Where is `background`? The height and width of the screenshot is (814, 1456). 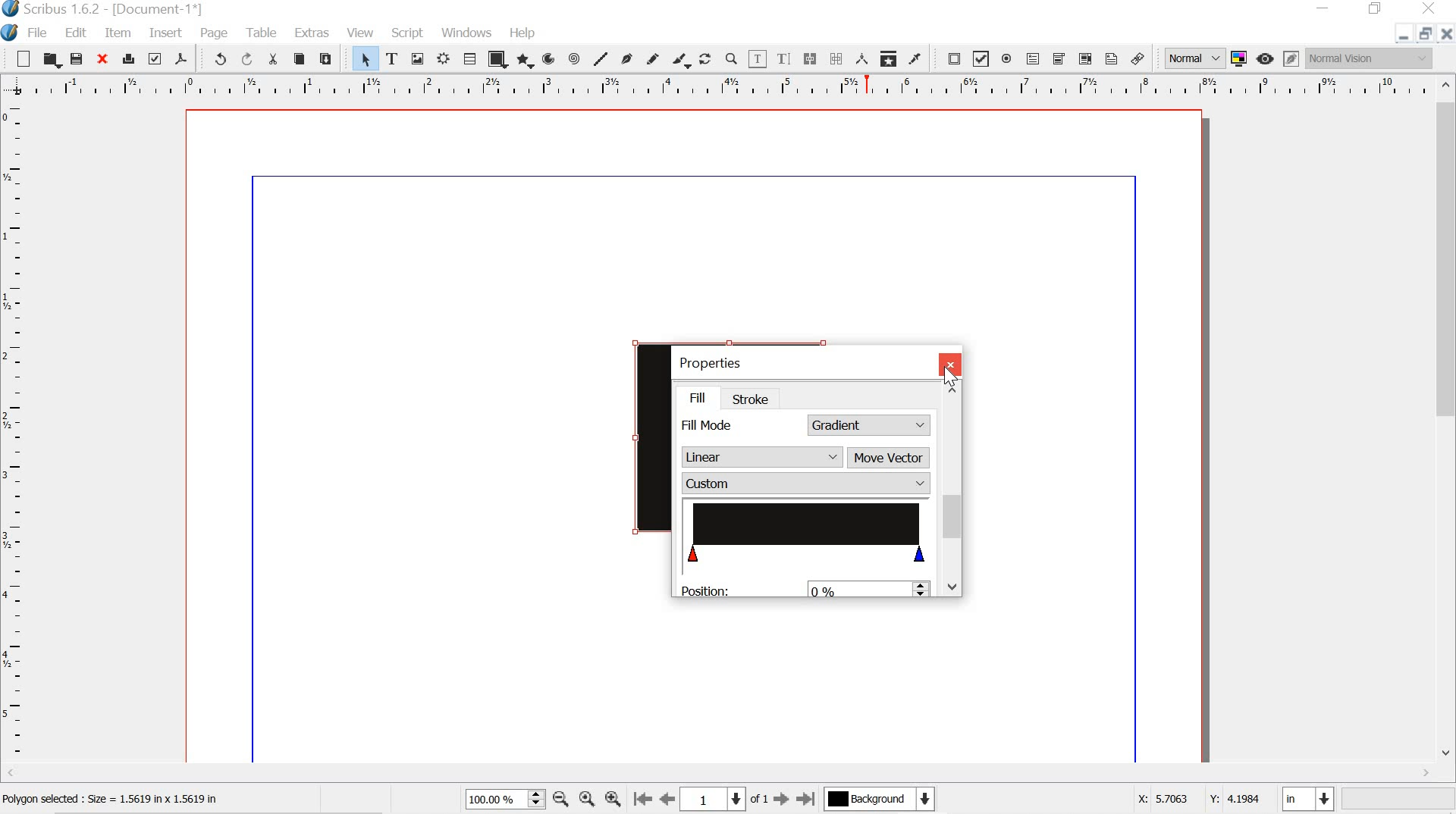 background is located at coordinates (886, 800).